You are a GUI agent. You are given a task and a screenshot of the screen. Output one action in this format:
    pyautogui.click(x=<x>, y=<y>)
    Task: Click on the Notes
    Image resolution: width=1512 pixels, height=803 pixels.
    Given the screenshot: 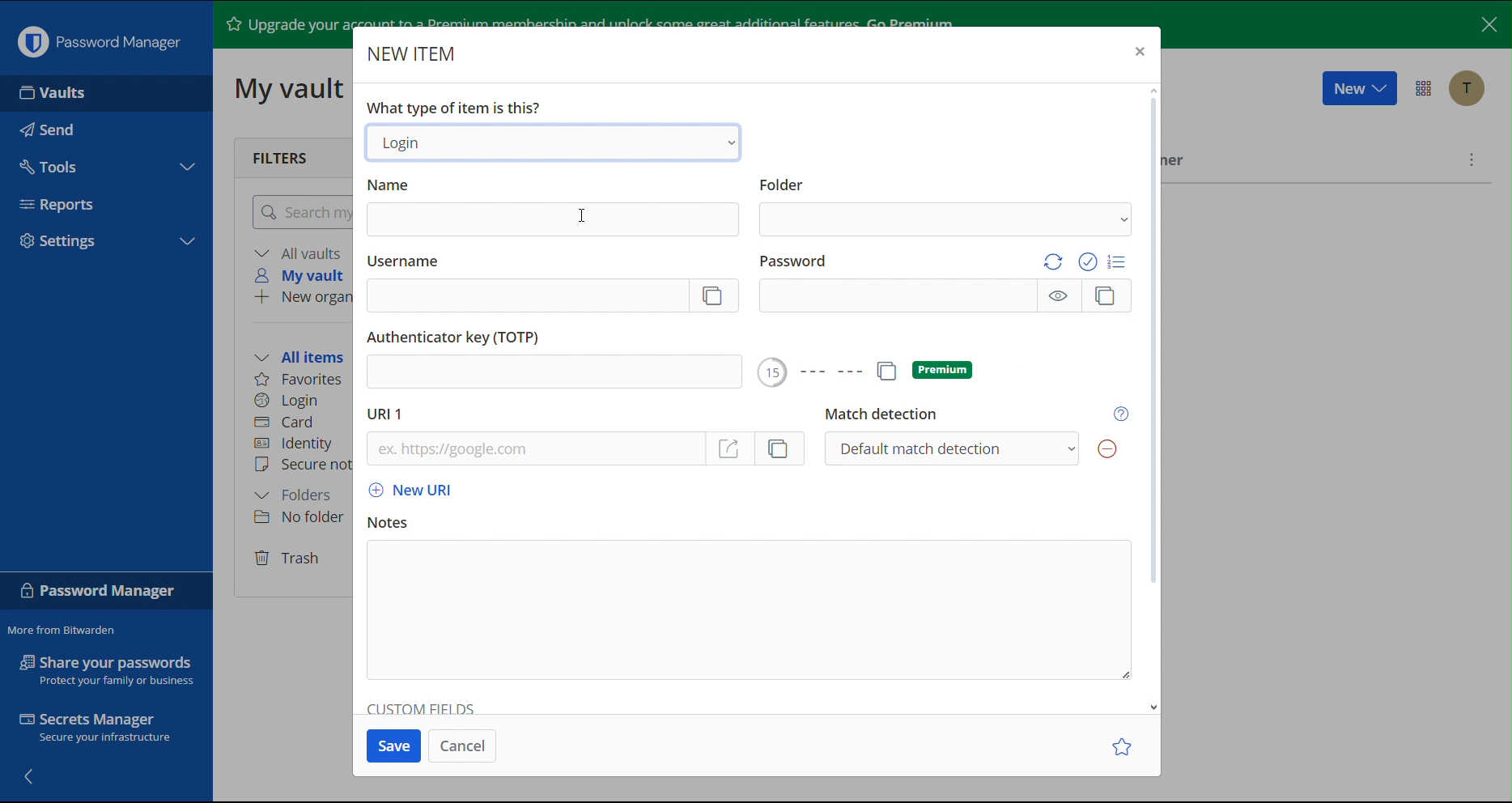 What is the action you would take?
    pyautogui.click(x=752, y=603)
    